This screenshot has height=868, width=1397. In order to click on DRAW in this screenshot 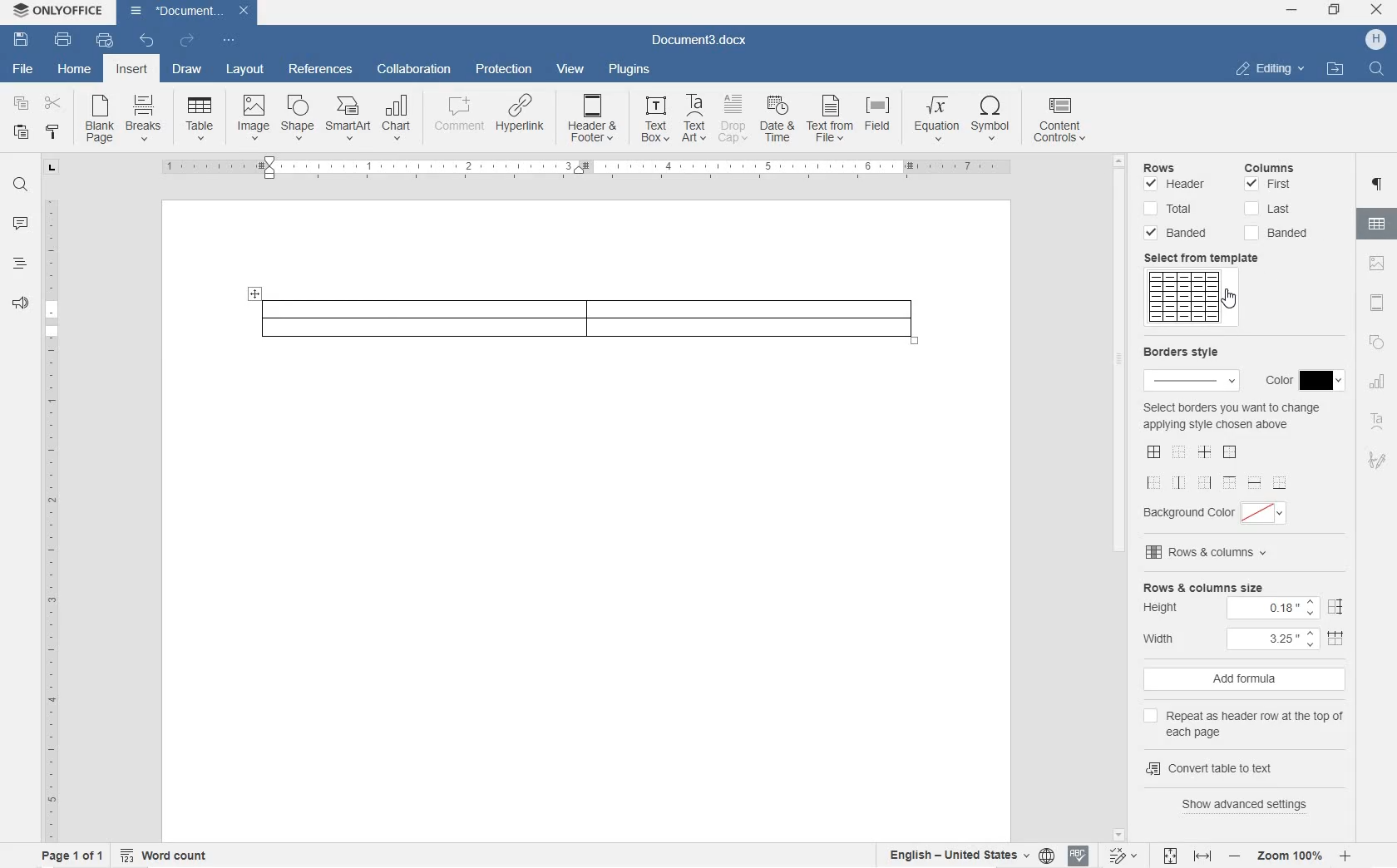, I will do `click(185, 72)`.